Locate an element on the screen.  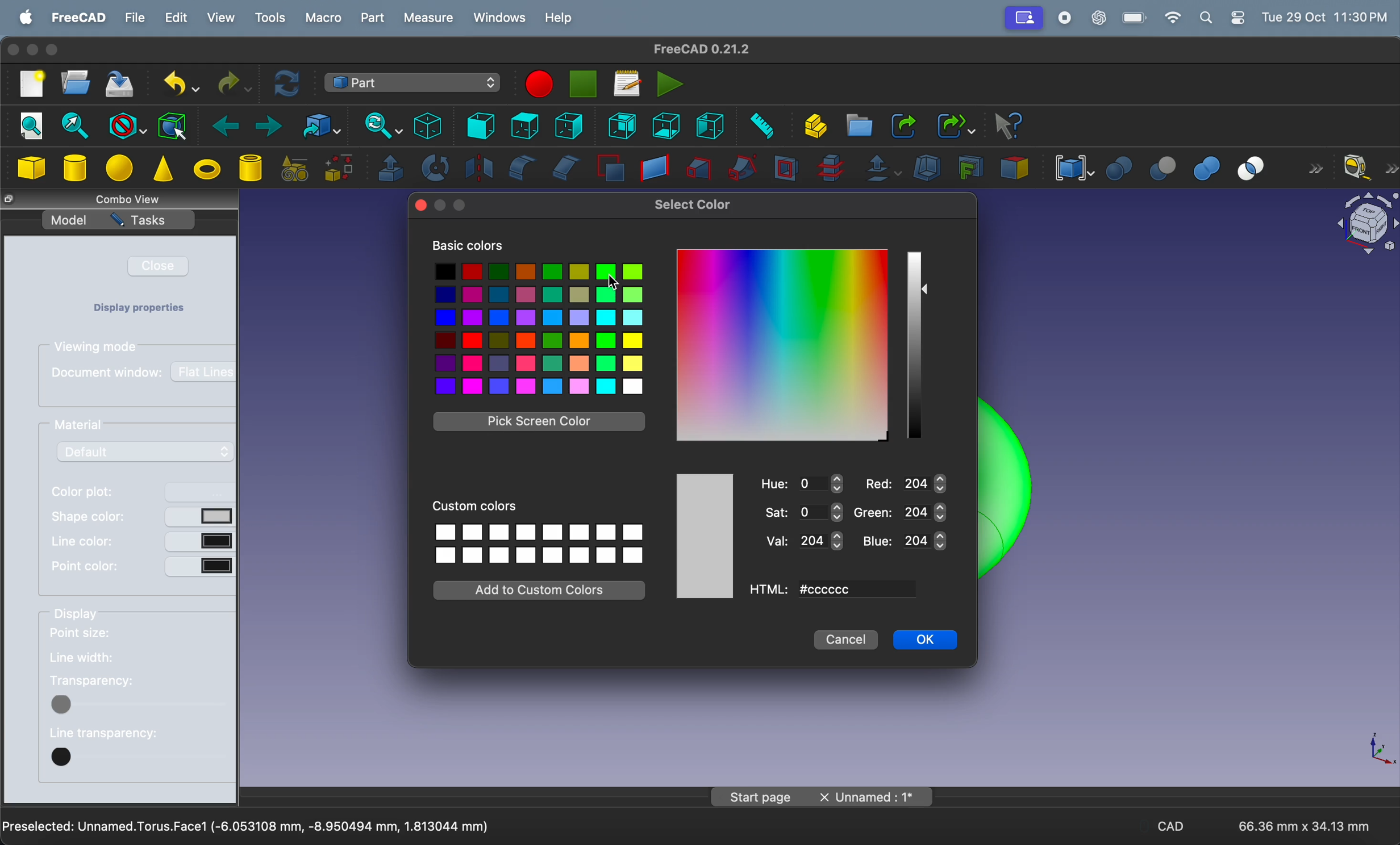
custom colors is located at coordinates (539, 543).